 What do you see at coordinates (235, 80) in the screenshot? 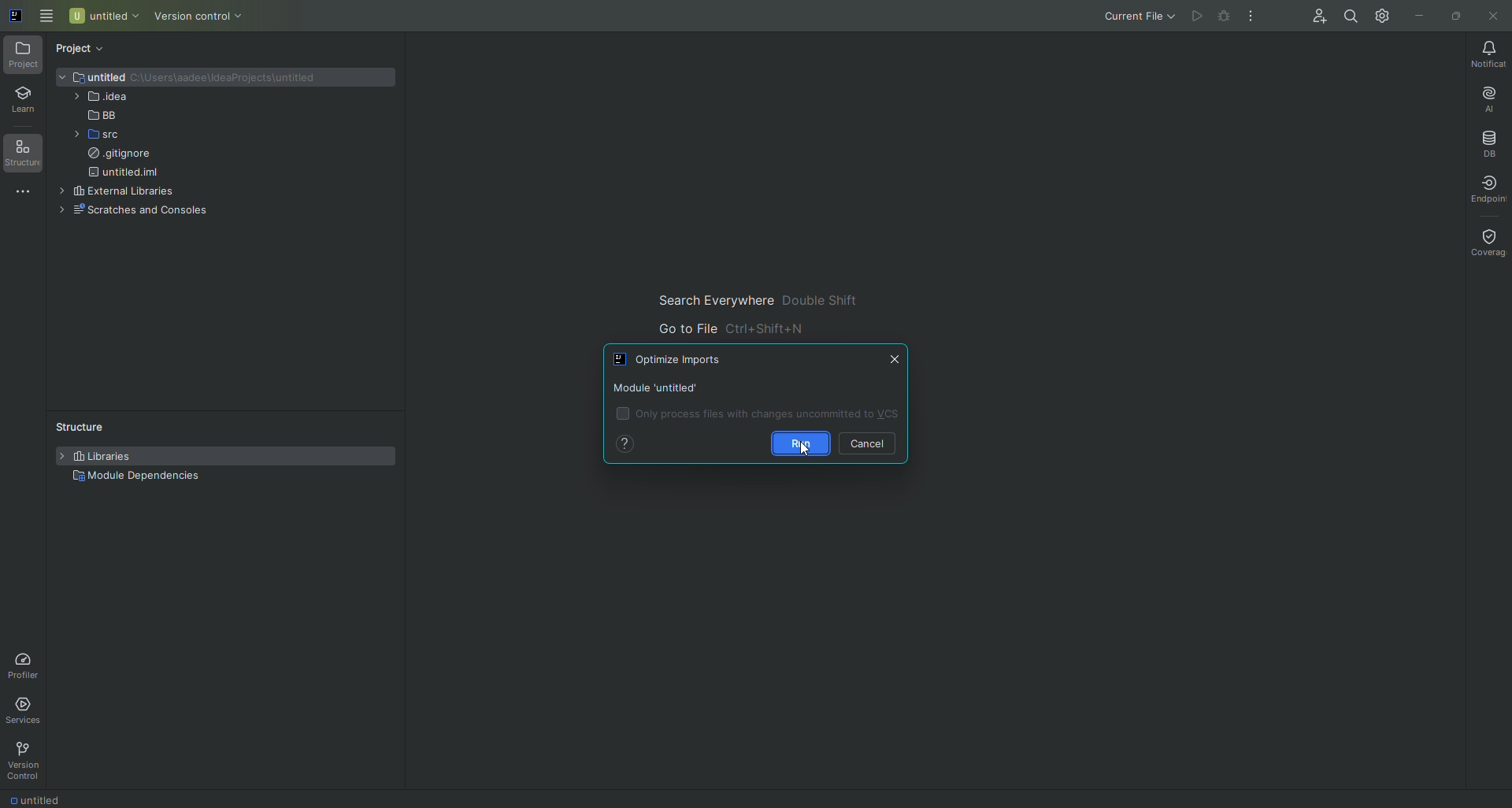
I see `Folder path` at bounding box center [235, 80].